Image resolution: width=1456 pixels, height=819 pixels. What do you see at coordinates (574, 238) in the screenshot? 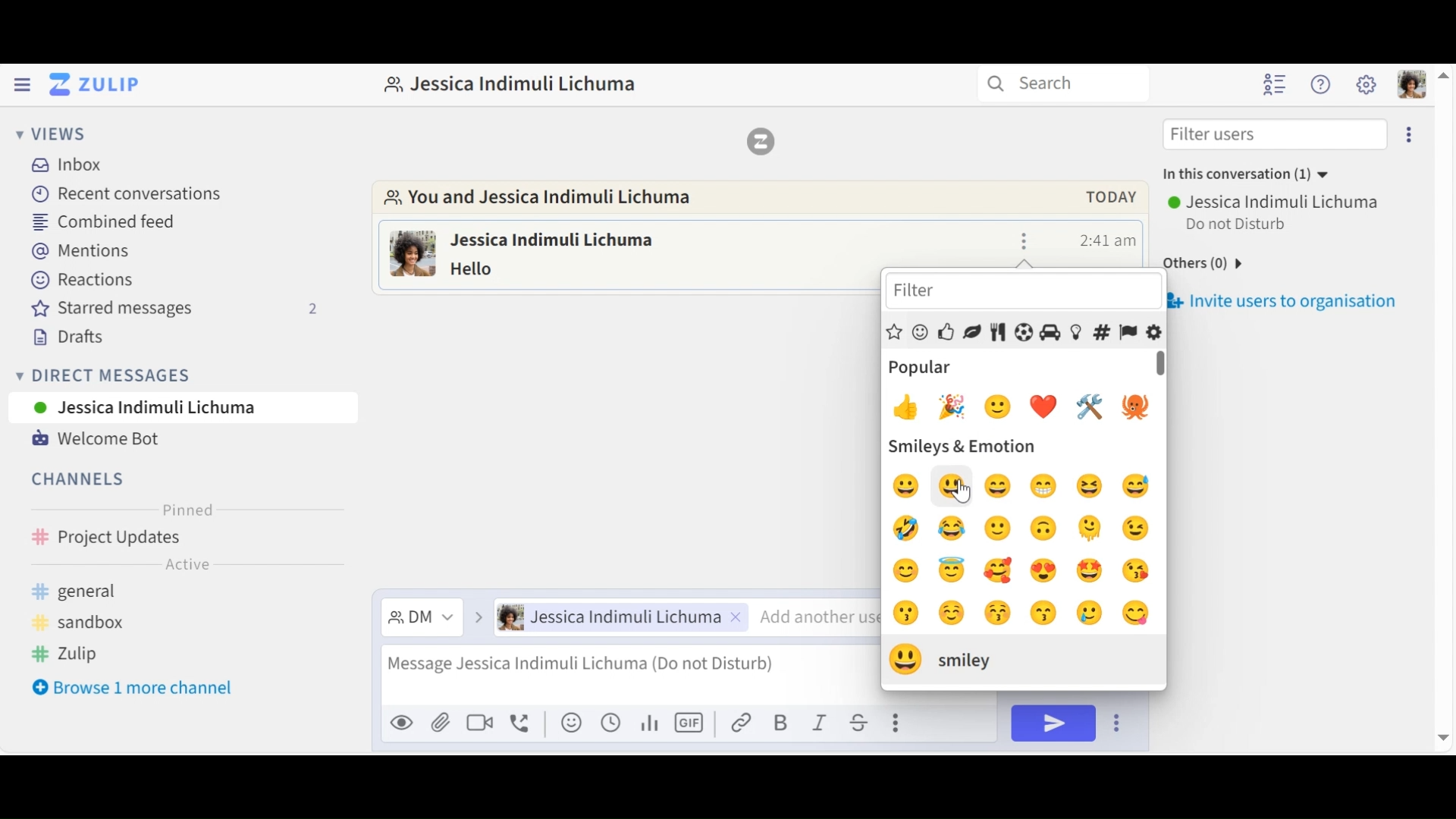
I see `user name` at bounding box center [574, 238].